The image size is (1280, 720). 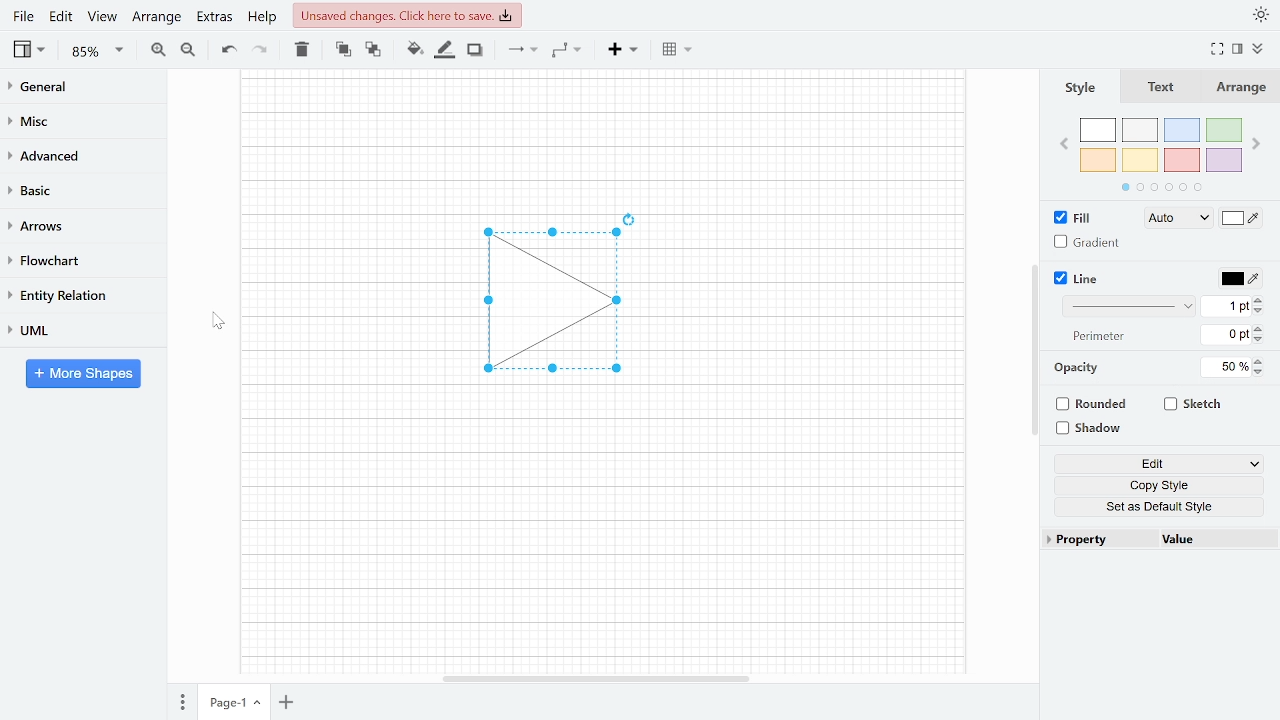 What do you see at coordinates (83, 373) in the screenshot?
I see `More shapes` at bounding box center [83, 373].